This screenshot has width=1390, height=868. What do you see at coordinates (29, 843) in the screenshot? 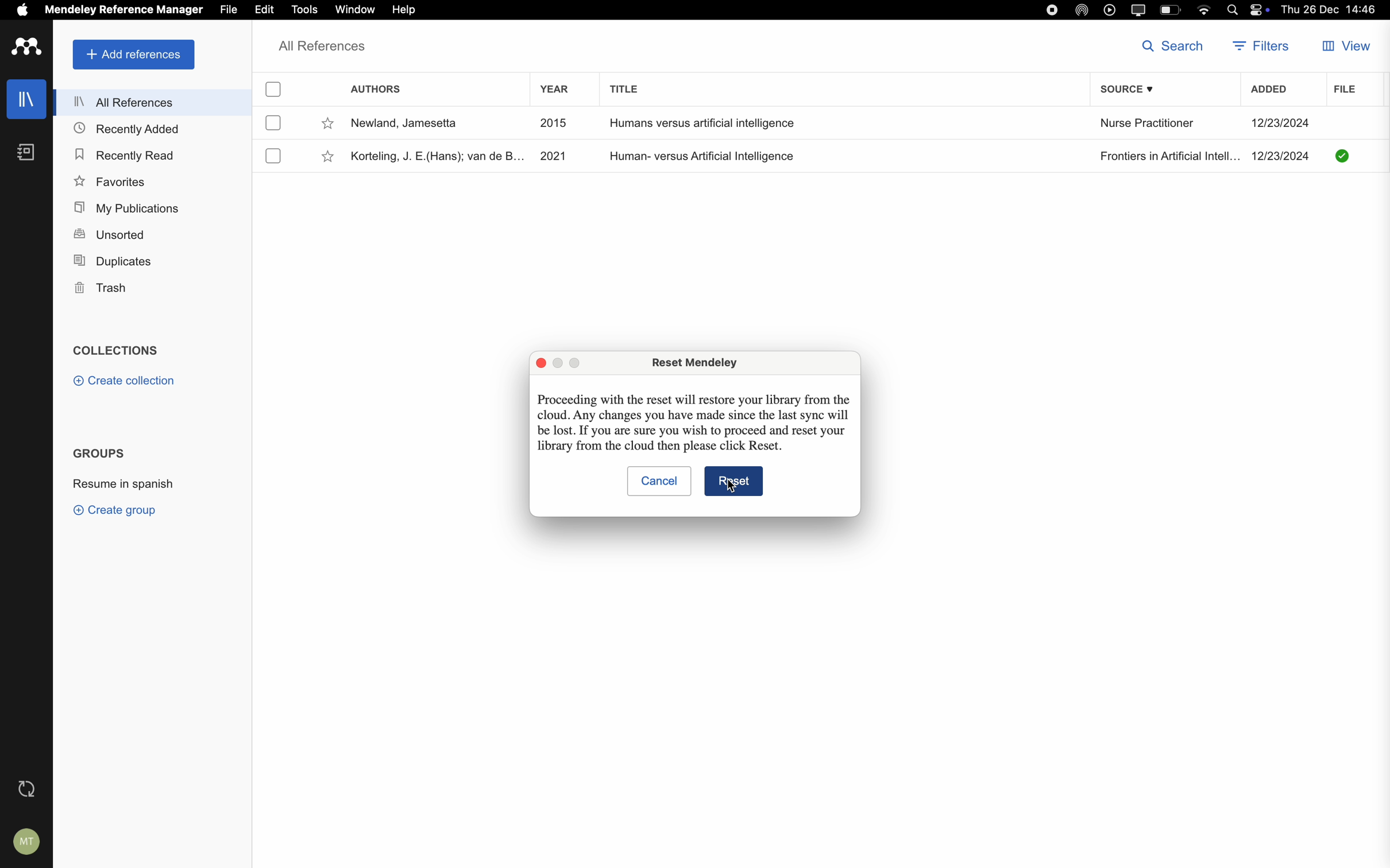
I see `account settings` at bounding box center [29, 843].